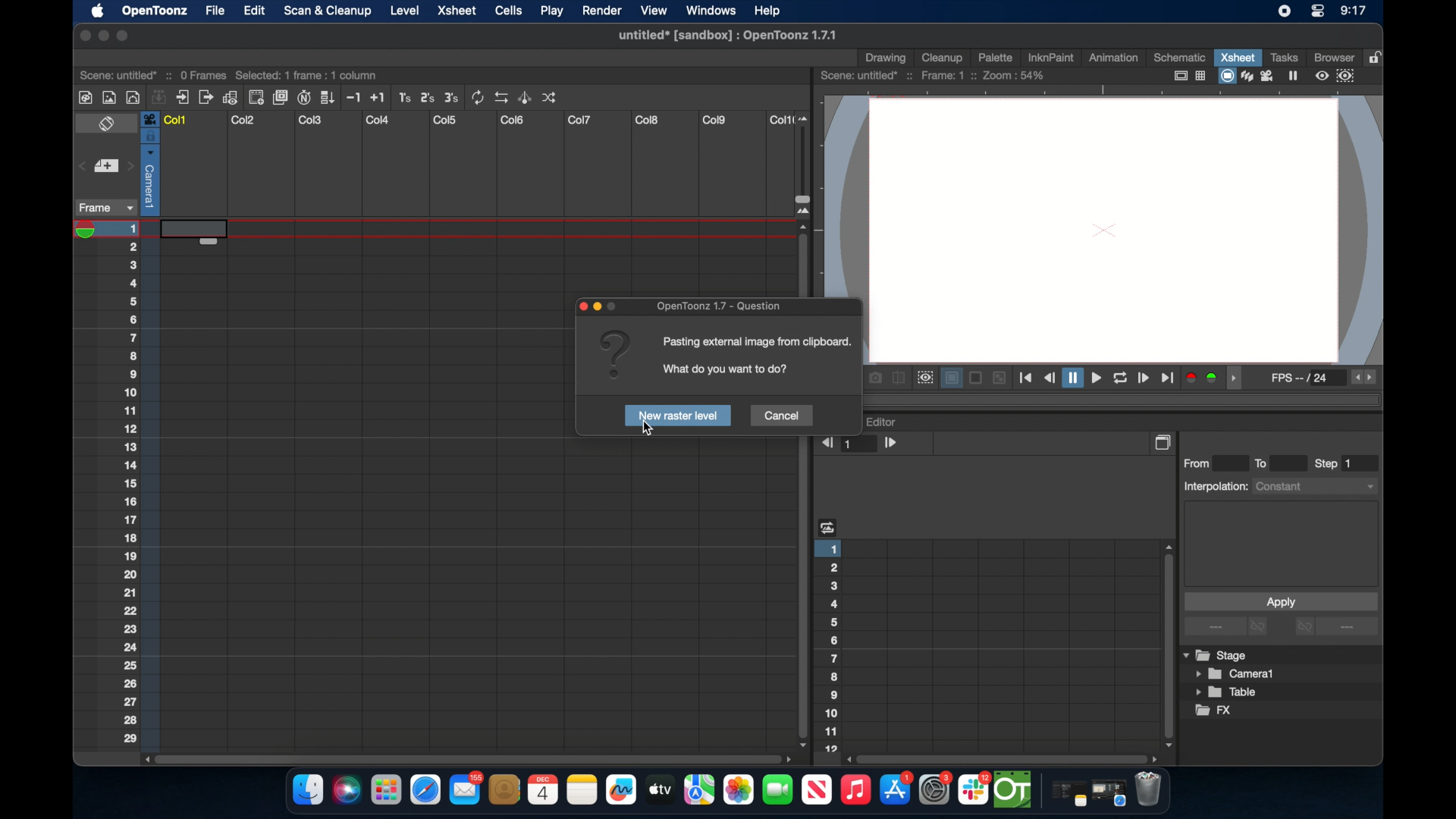 Image resolution: width=1456 pixels, height=819 pixels. What do you see at coordinates (996, 57) in the screenshot?
I see `palette` at bounding box center [996, 57].